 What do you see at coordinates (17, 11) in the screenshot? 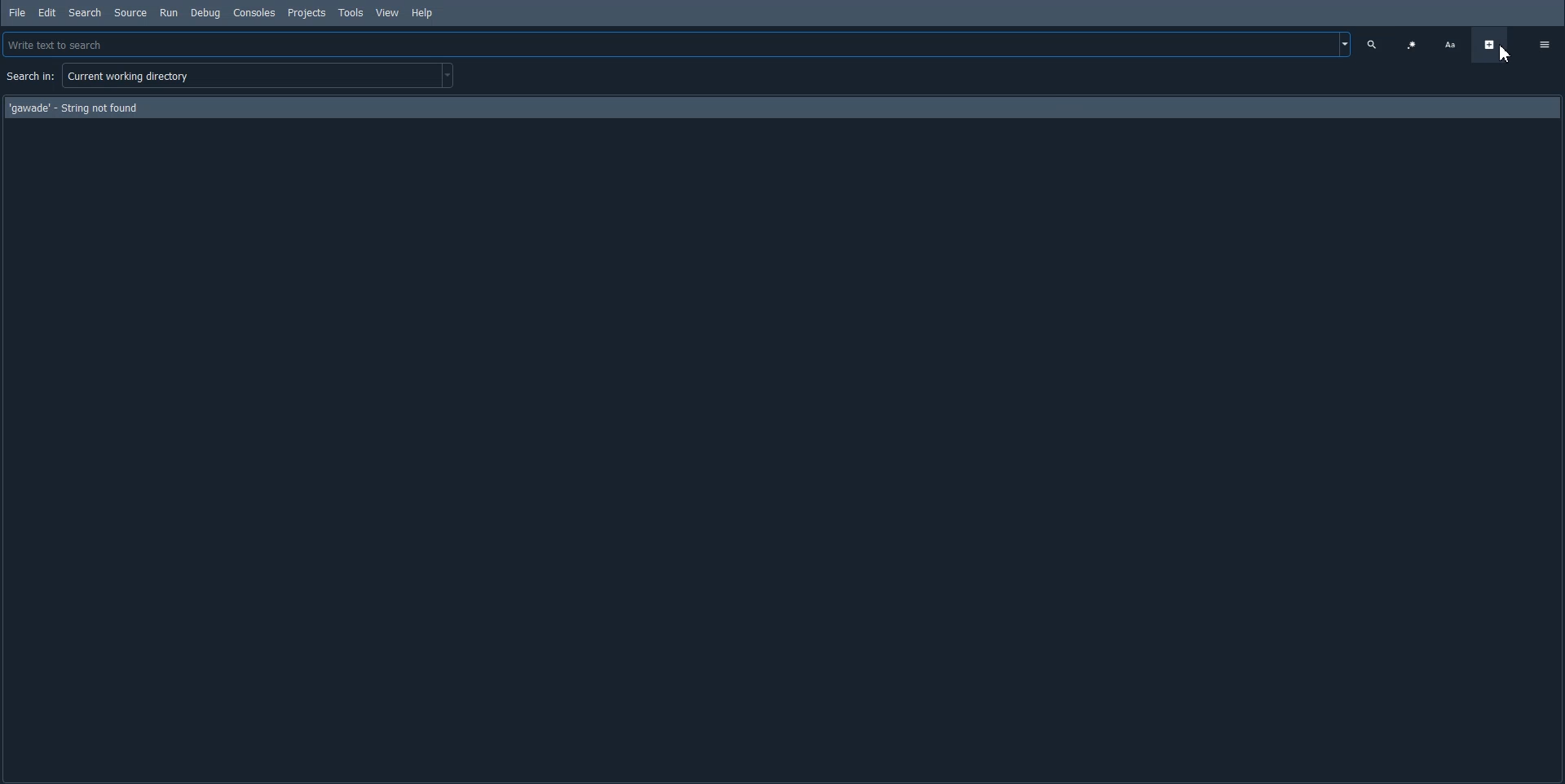
I see `File` at bounding box center [17, 11].